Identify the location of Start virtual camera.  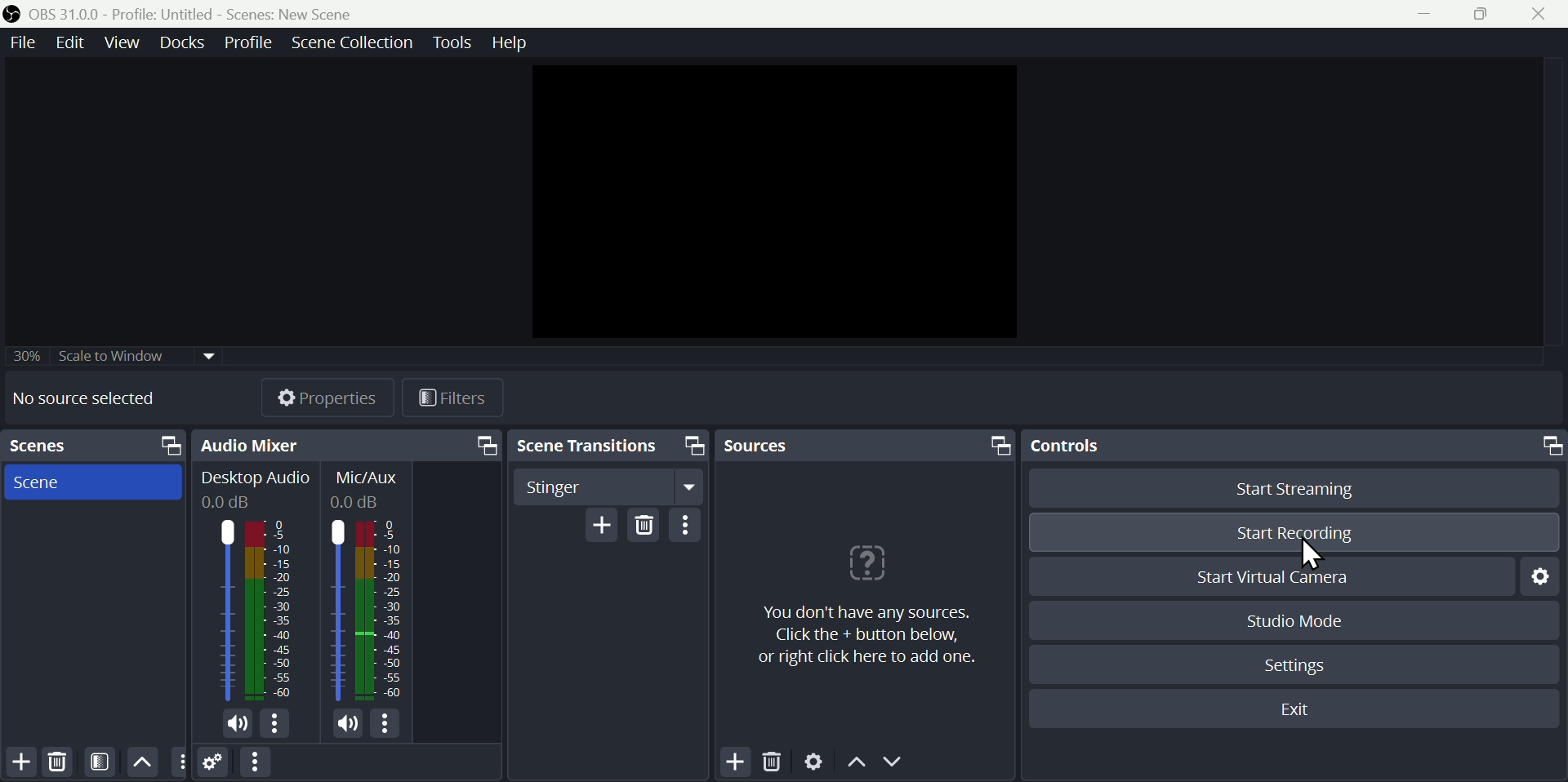
(1290, 575).